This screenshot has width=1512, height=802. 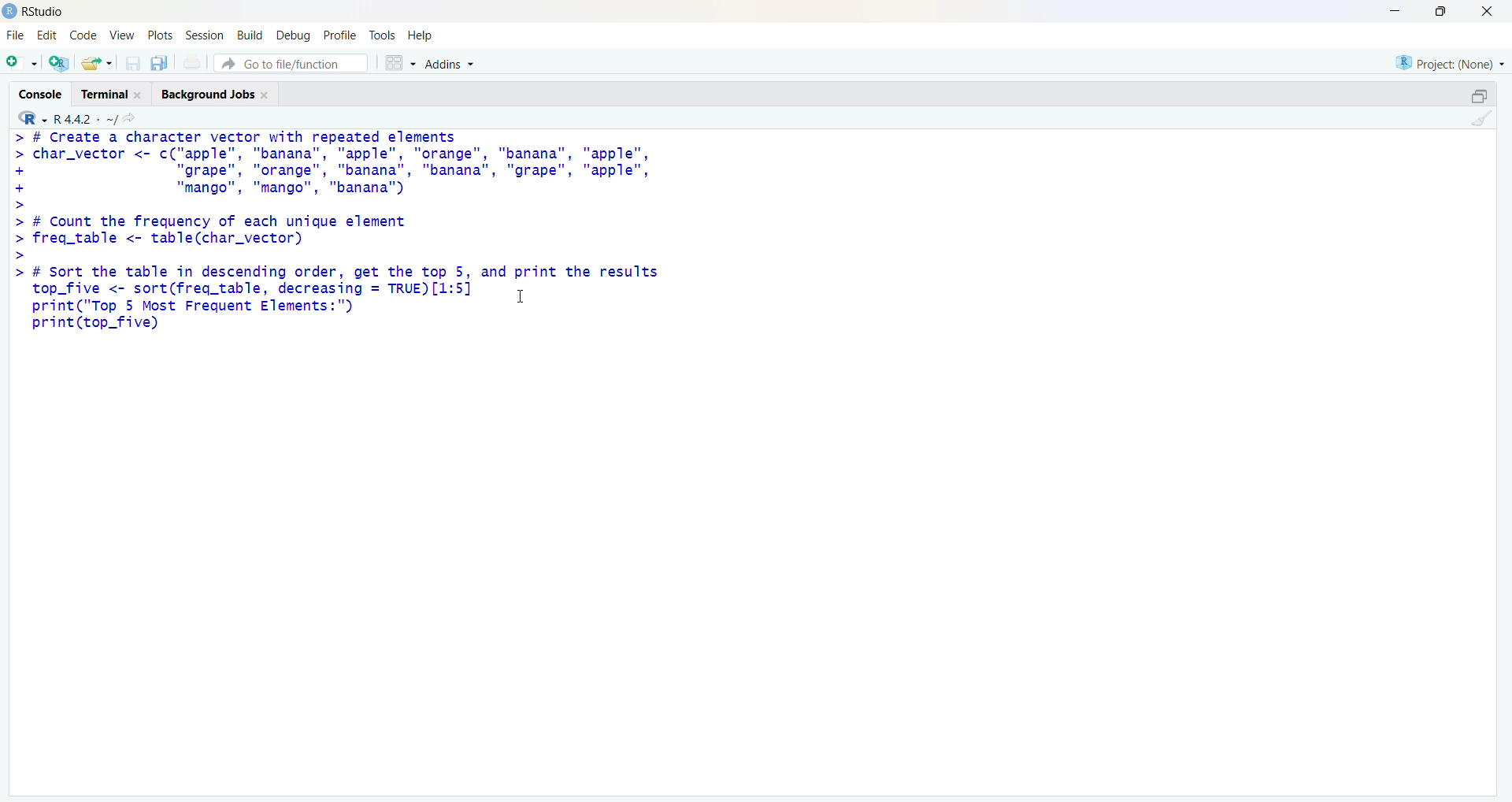 What do you see at coordinates (84, 36) in the screenshot?
I see `Code` at bounding box center [84, 36].